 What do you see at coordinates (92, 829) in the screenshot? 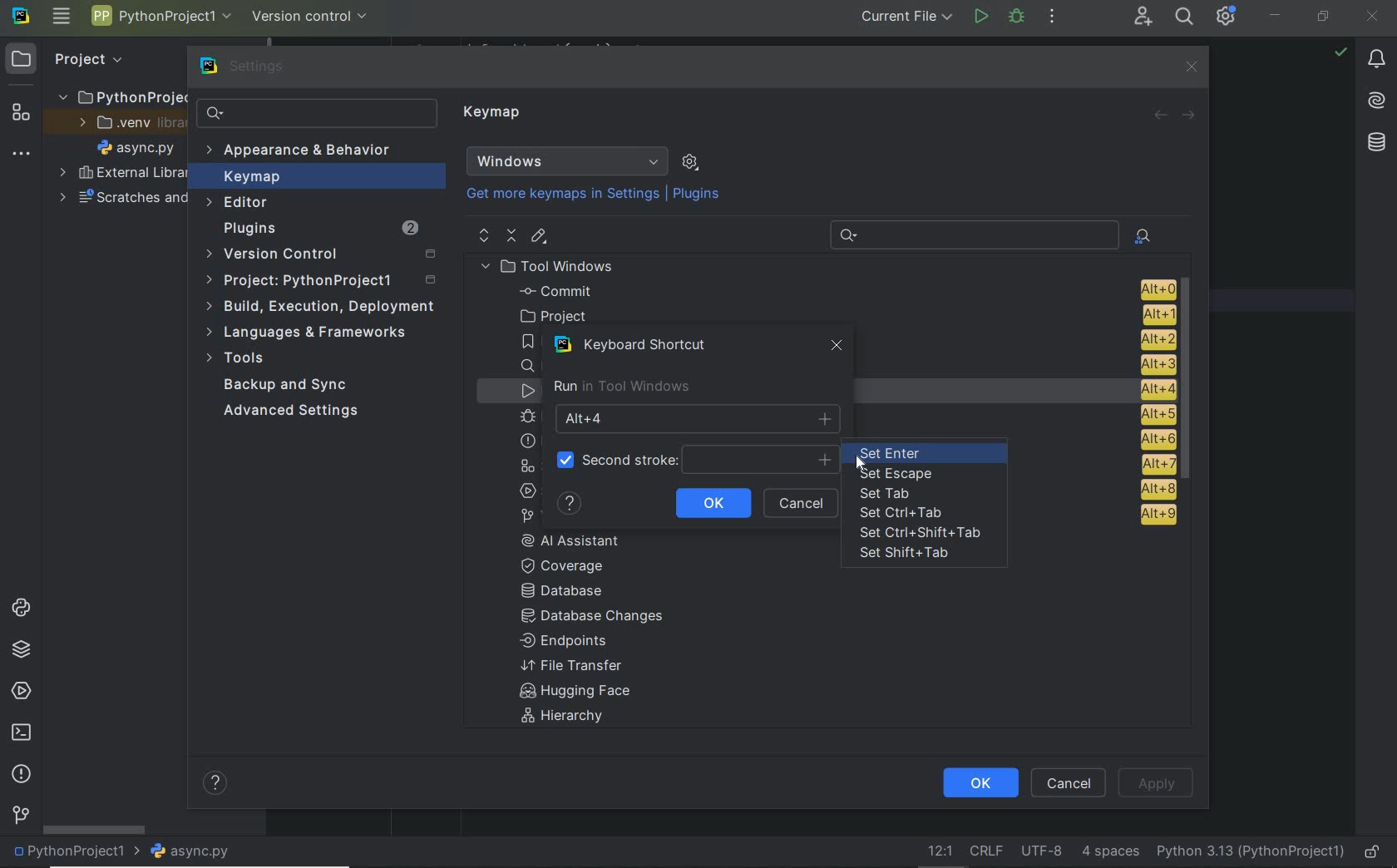
I see `scrollbar` at bounding box center [92, 829].